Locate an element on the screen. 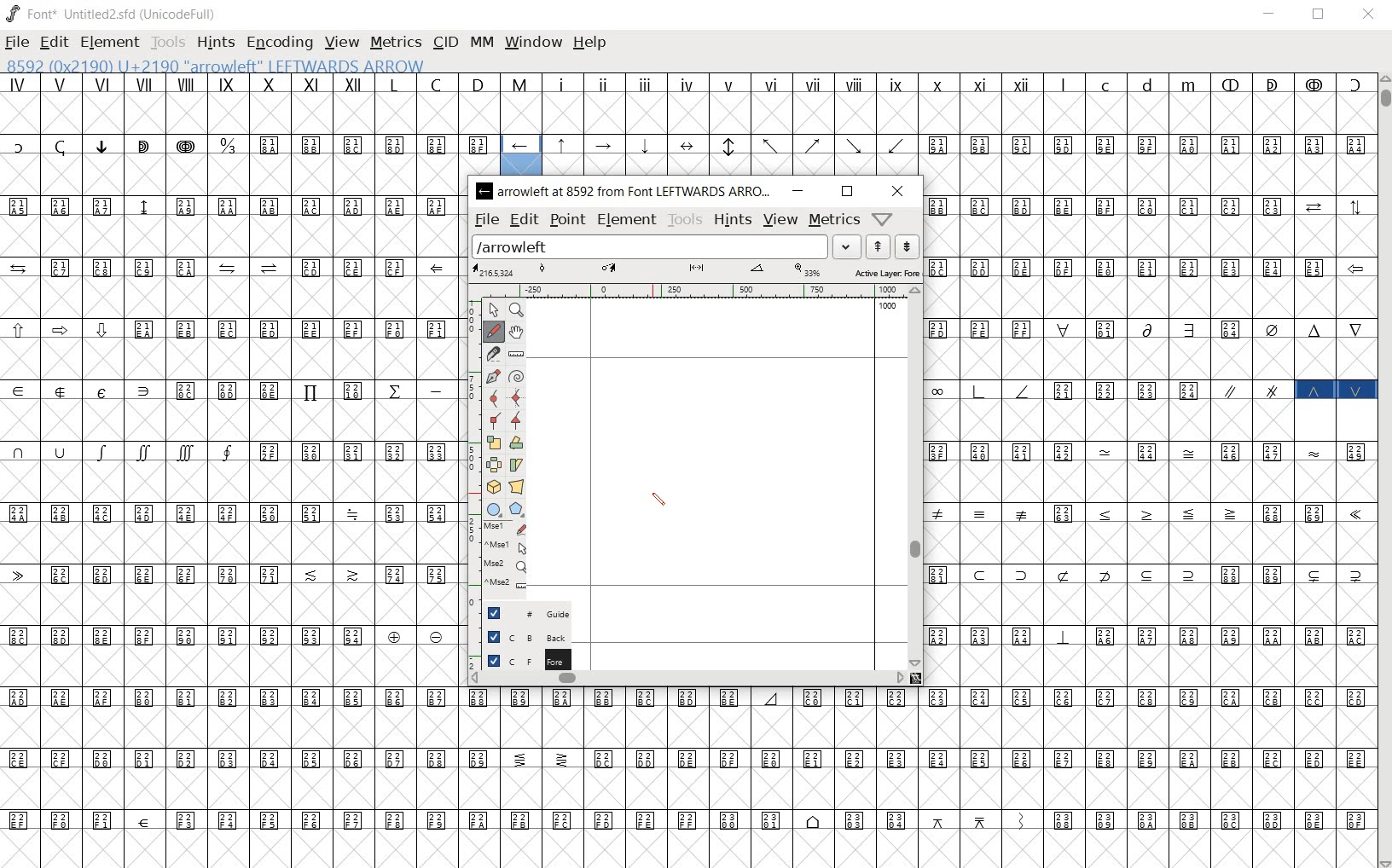 The image size is (1392, 868). ruler is located at coordinates (692, 292).